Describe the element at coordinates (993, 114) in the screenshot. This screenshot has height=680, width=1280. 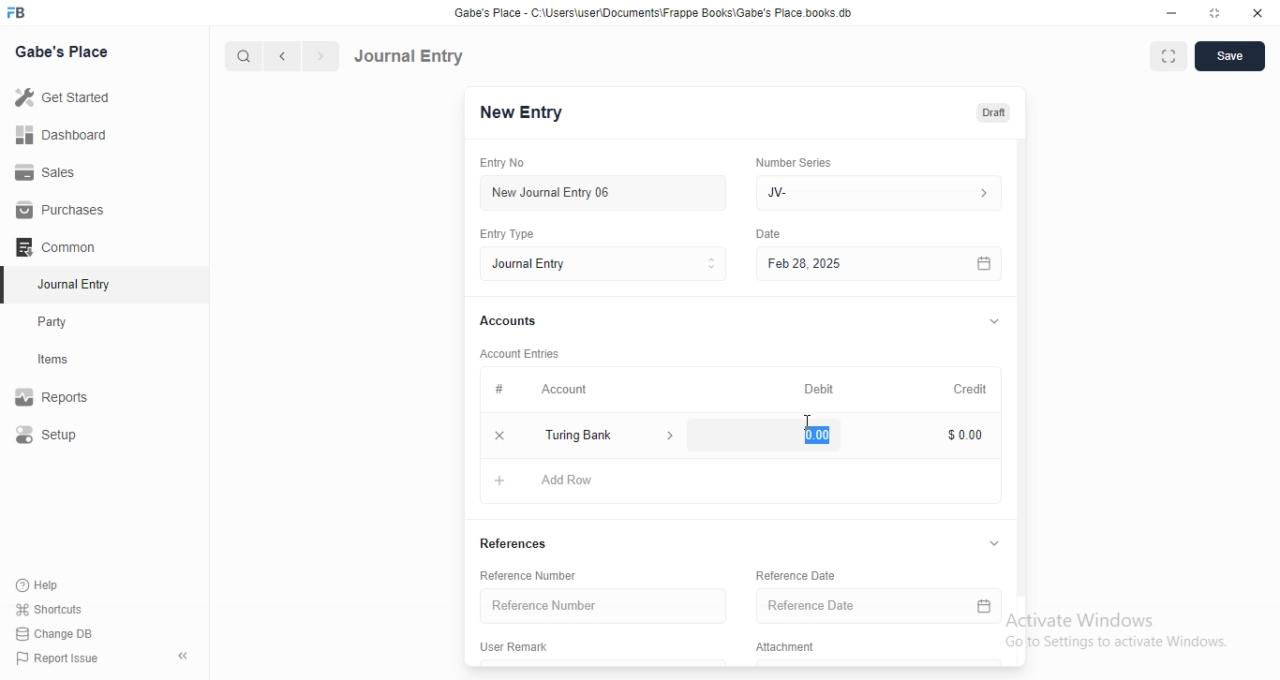
I see `draft` at that location.